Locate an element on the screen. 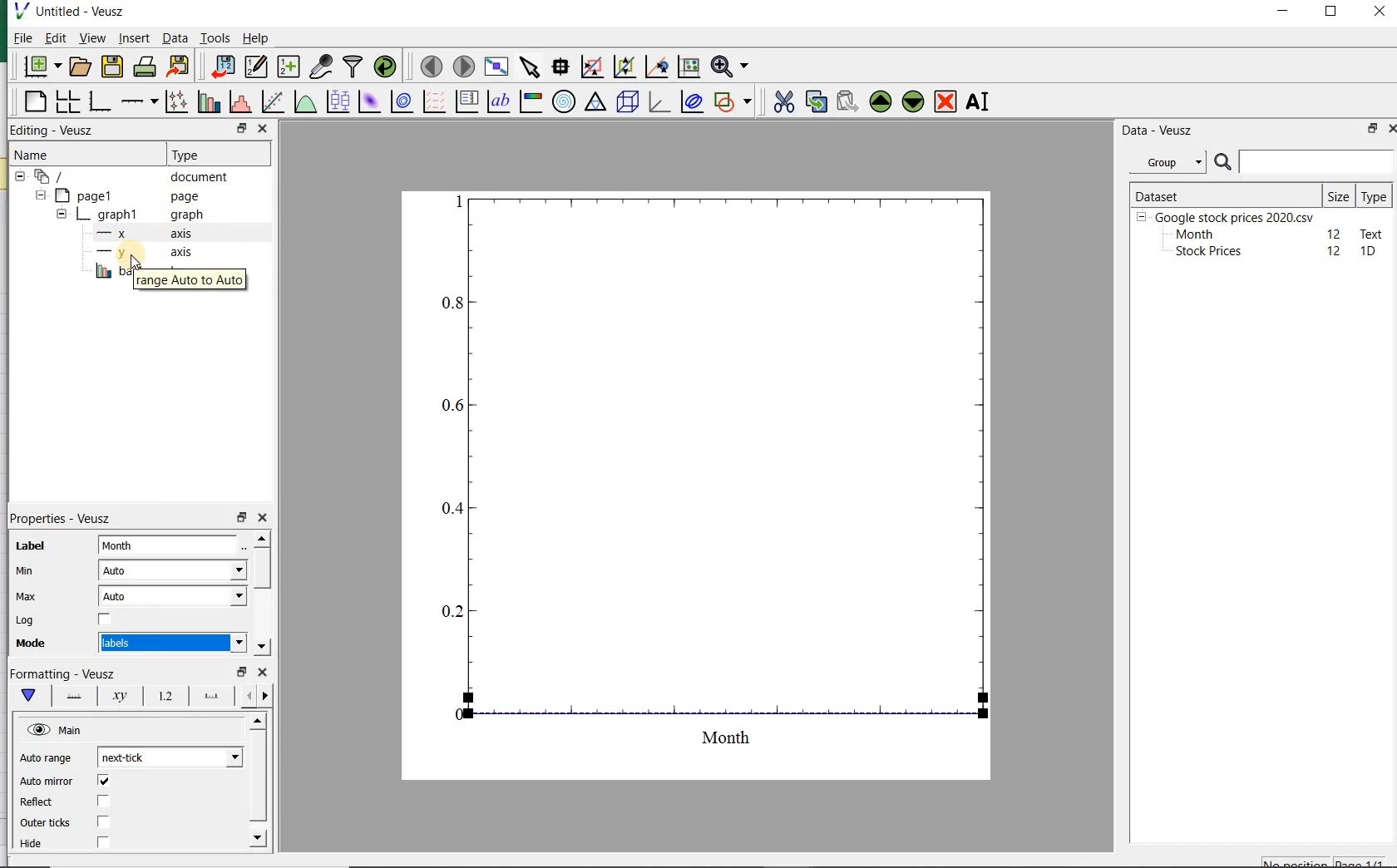 The width and height of the screenshot is (1397, 868). main formatting is located at coordinates (25, 695).